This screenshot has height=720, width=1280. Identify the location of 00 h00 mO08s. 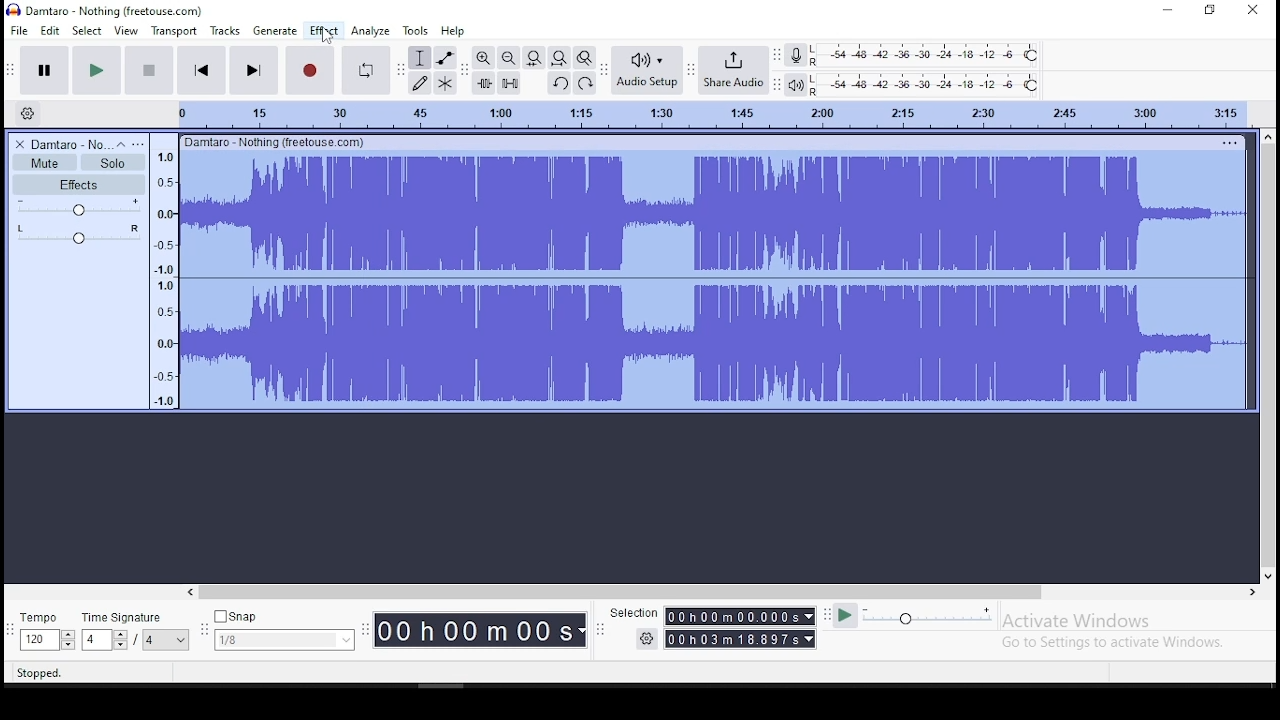
(473, 631).